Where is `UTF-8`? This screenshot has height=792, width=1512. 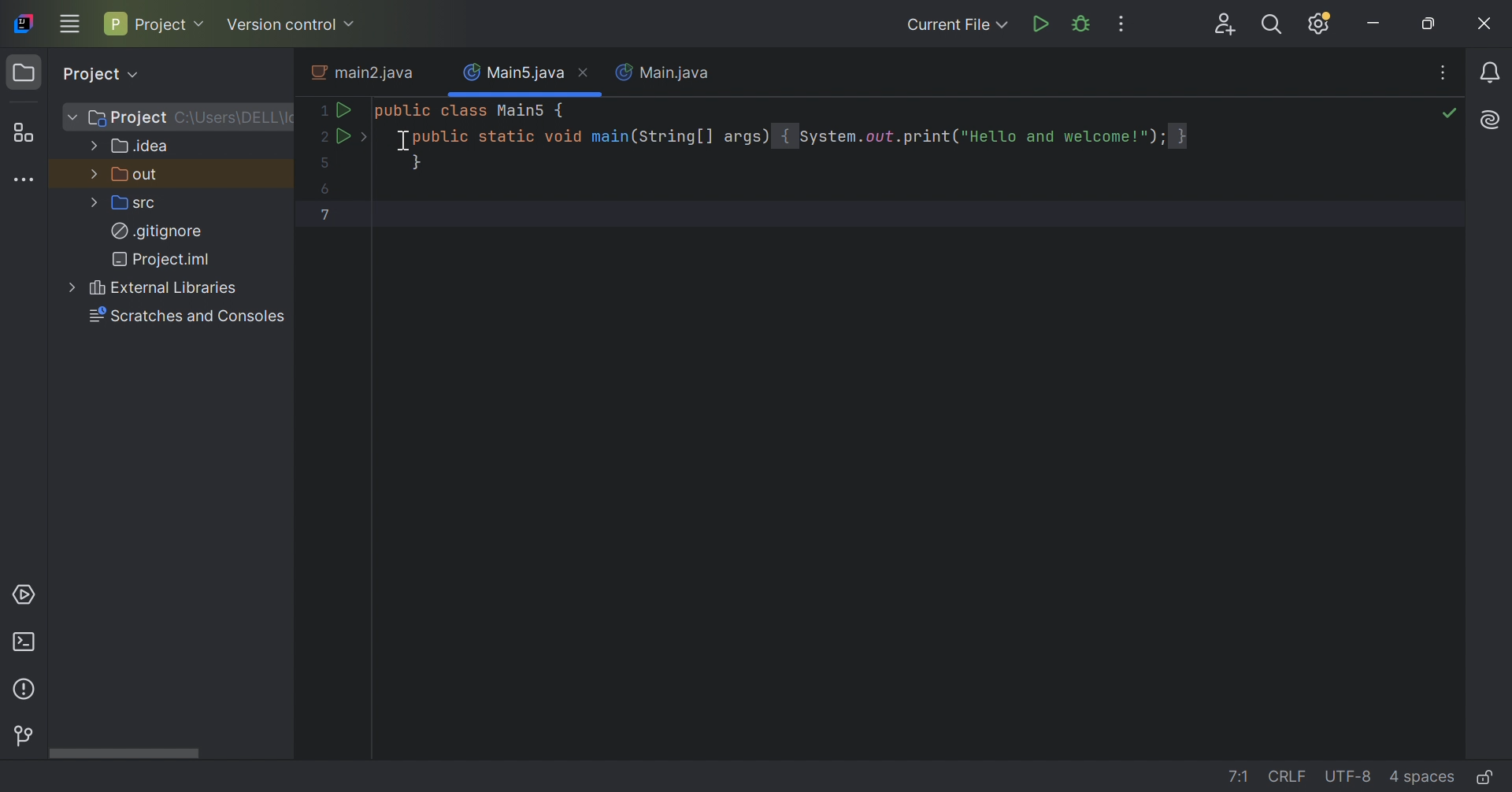
UTF-8 is located at coordinates (1349, 779).